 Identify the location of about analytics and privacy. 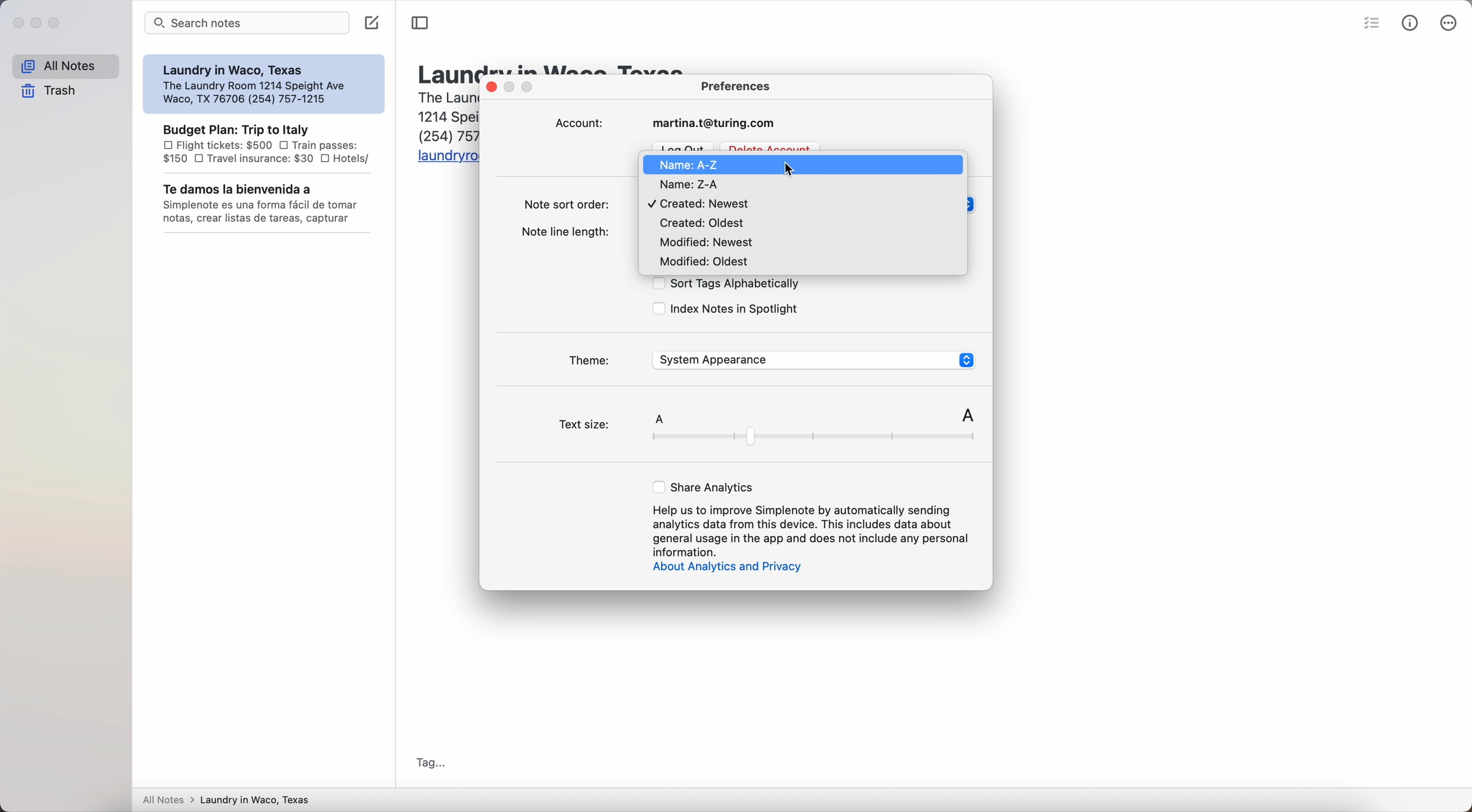
(733, 568).